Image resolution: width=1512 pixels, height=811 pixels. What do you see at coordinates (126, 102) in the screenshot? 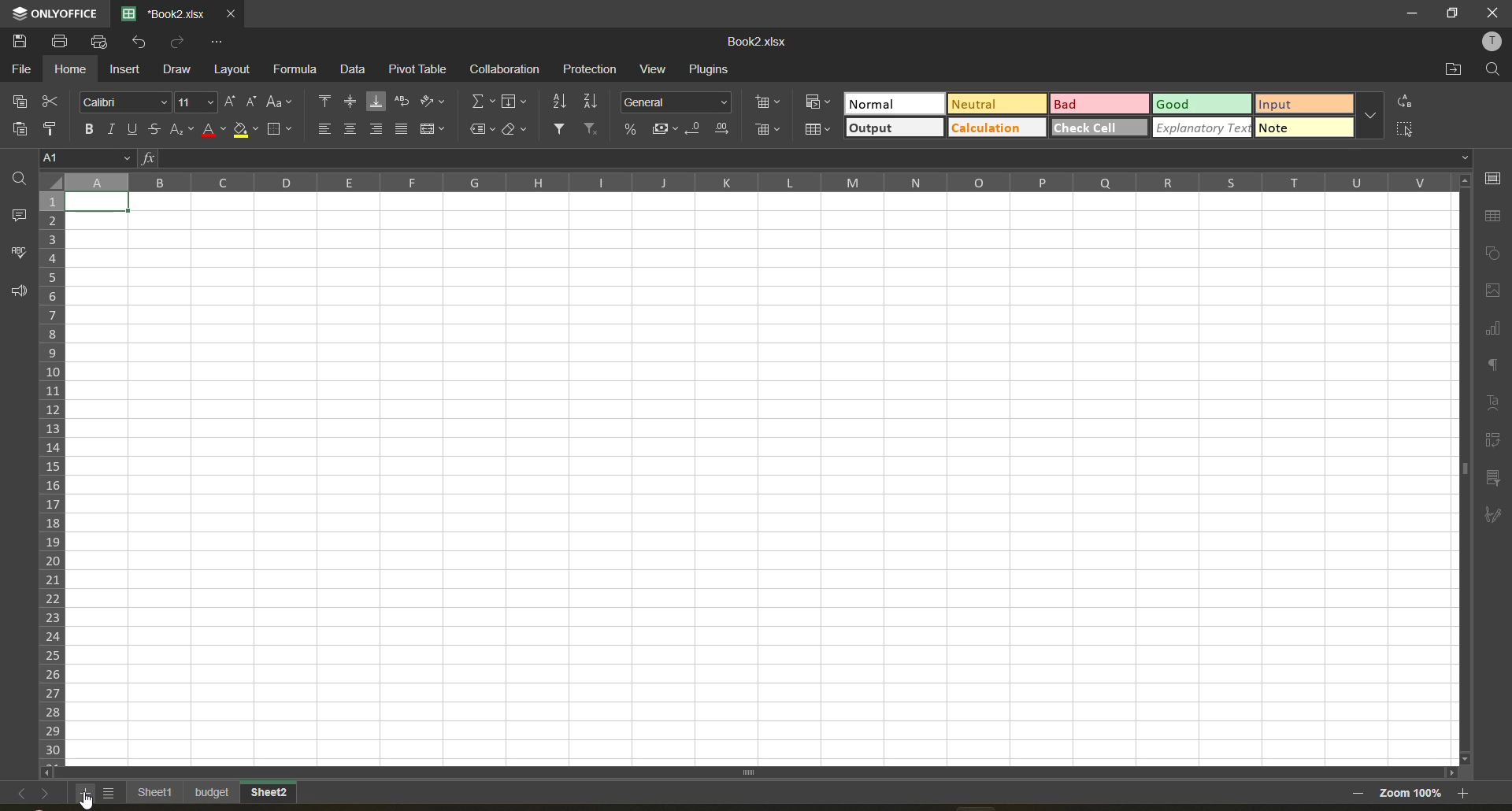
I see `font style` at bounding box center [126, 102].